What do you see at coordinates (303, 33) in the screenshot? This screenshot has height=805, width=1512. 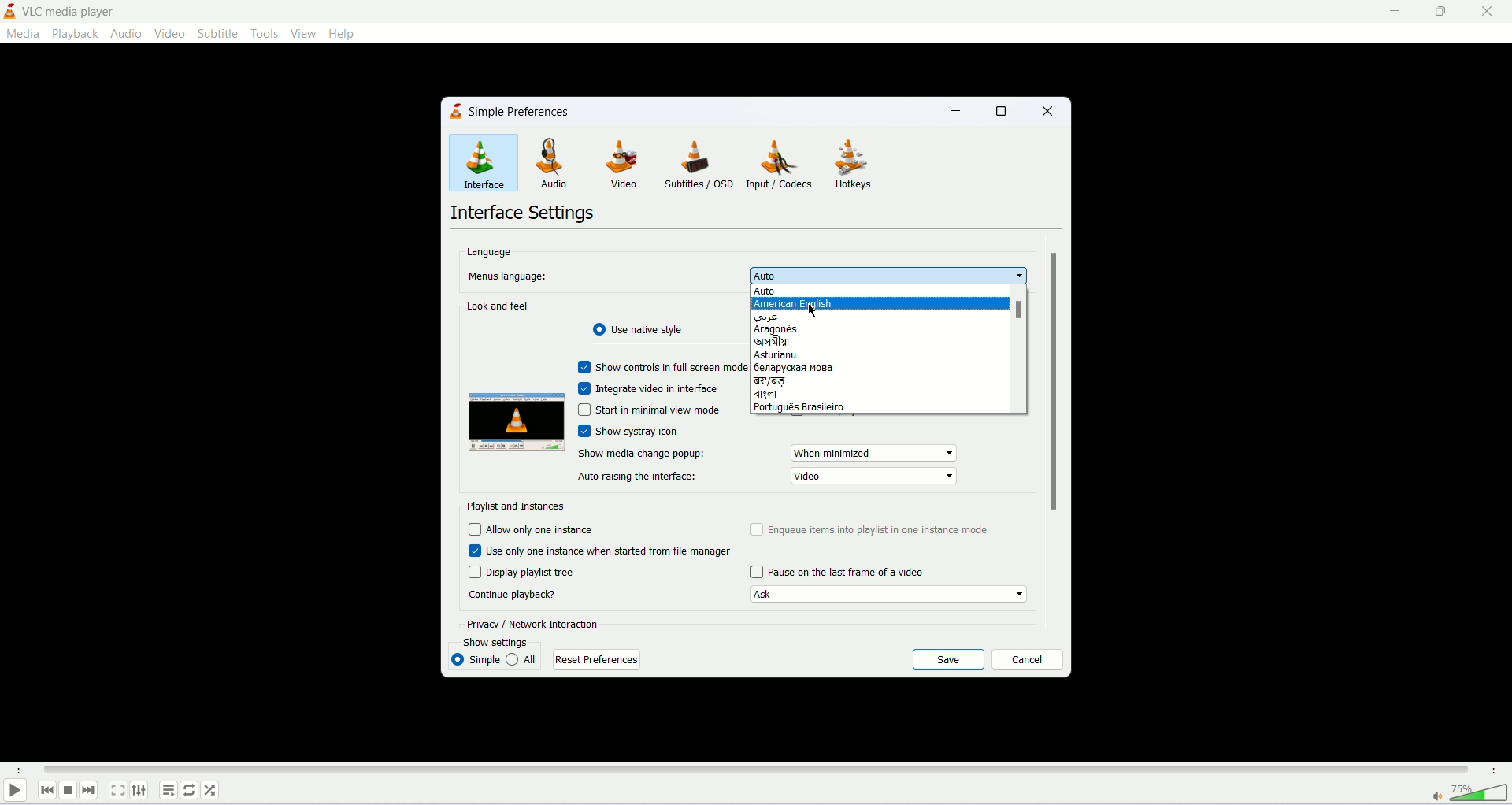 I see `view` at bounding box center [303, 33].